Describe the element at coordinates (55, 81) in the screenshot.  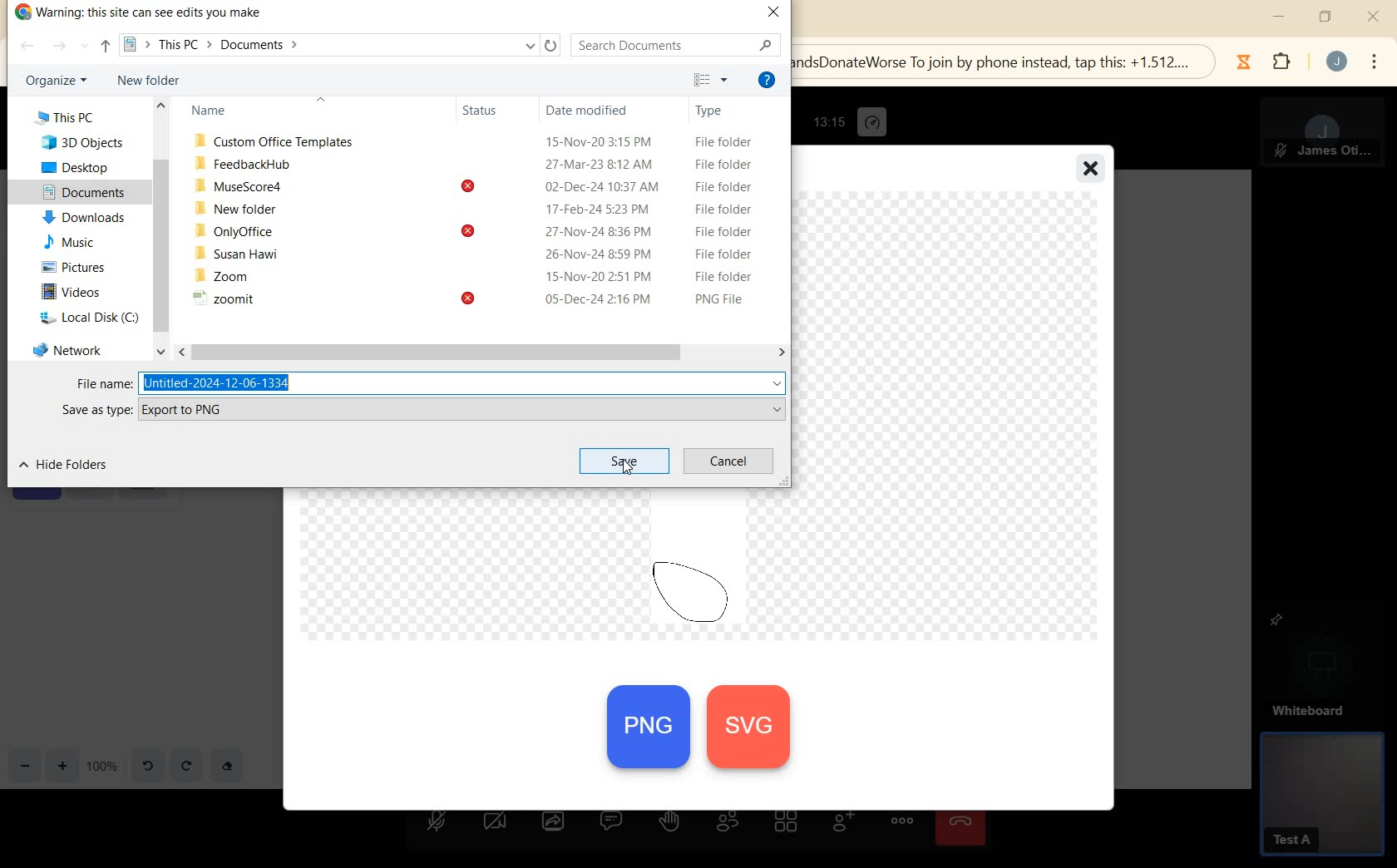
I see `ORGANIZE` at that location.